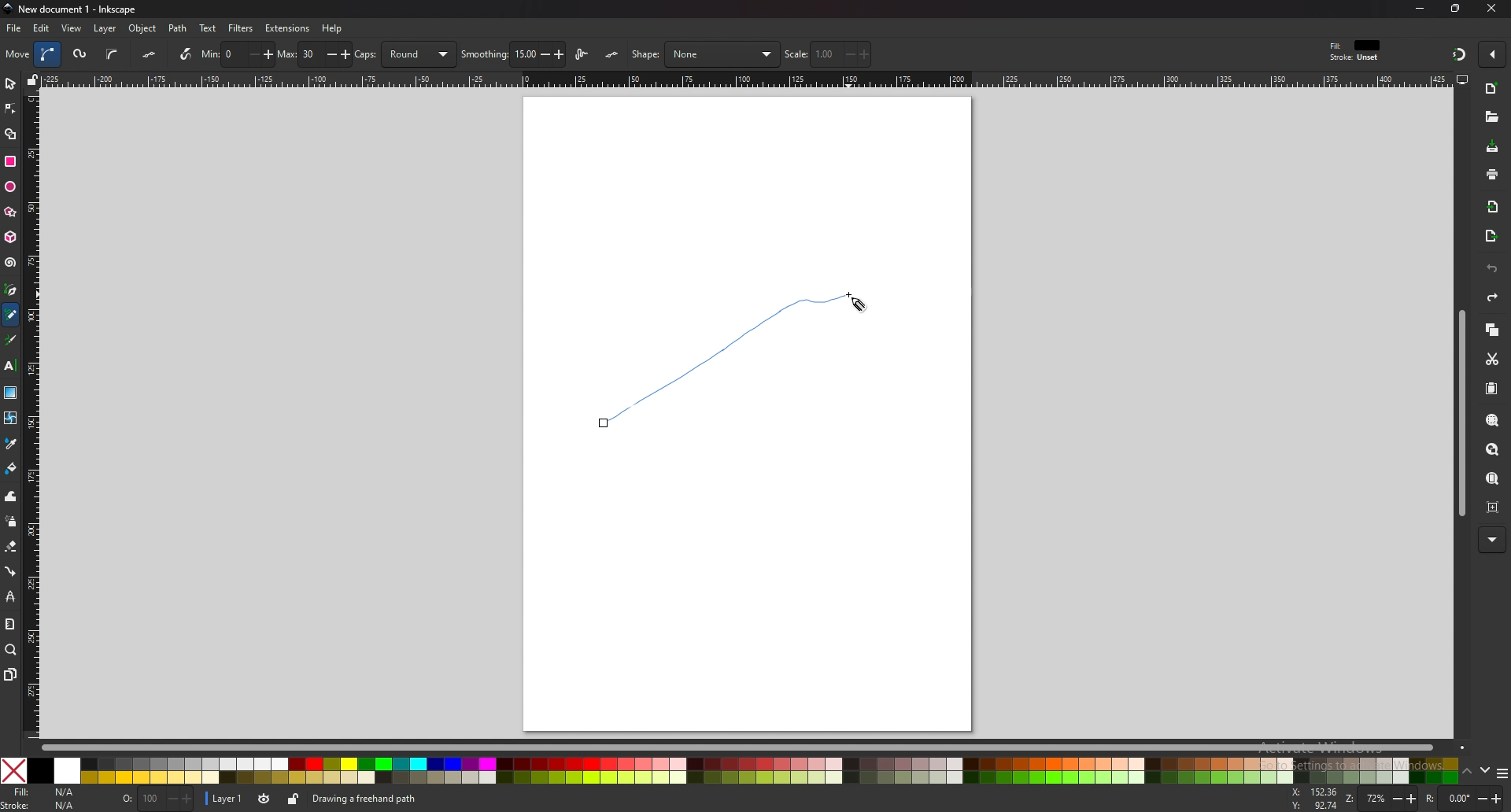  I want to click on down, so click(1484, 770).